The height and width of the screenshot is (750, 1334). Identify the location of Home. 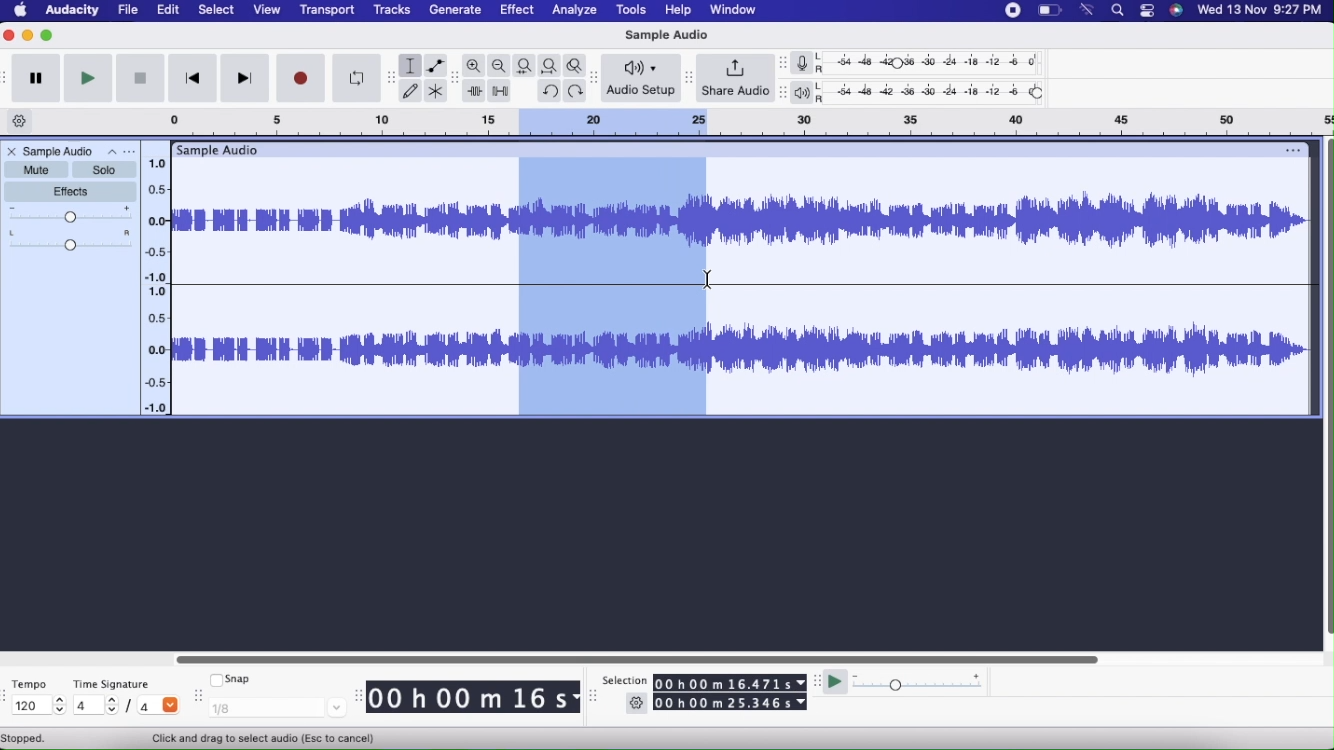
(21, 9).